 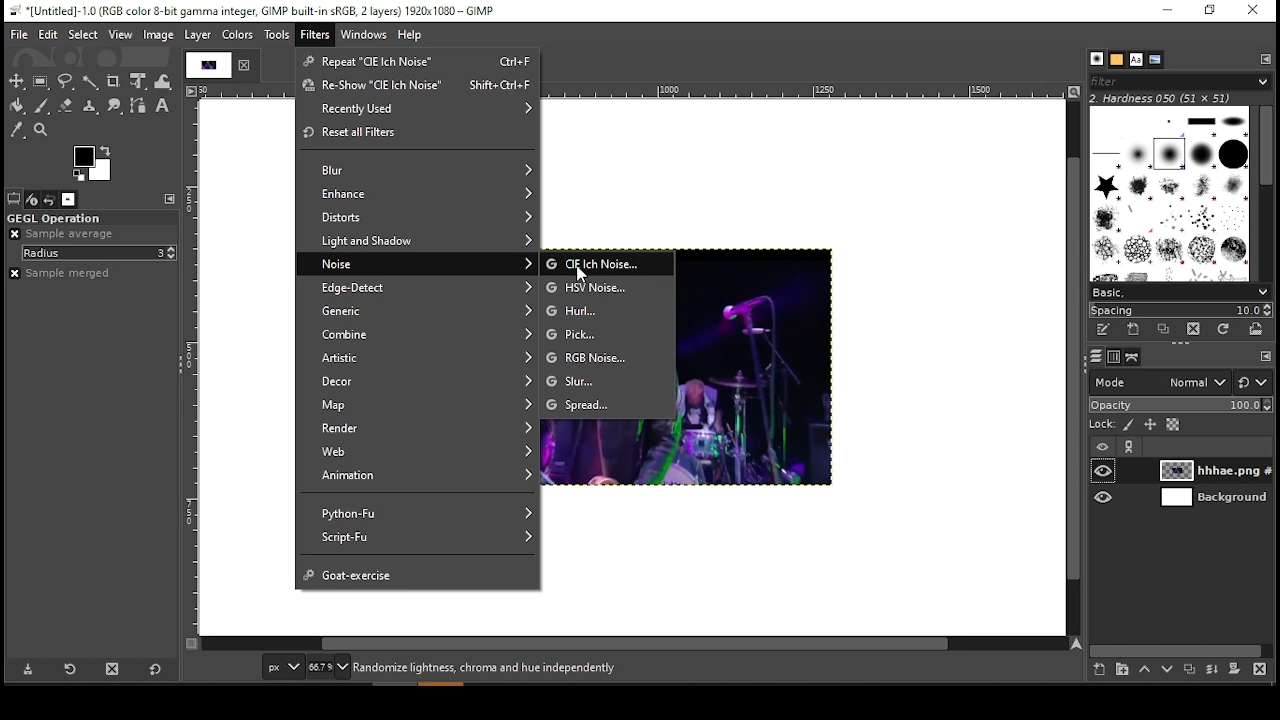 I want to click on restore tool preset, so click(x=68, y=668).